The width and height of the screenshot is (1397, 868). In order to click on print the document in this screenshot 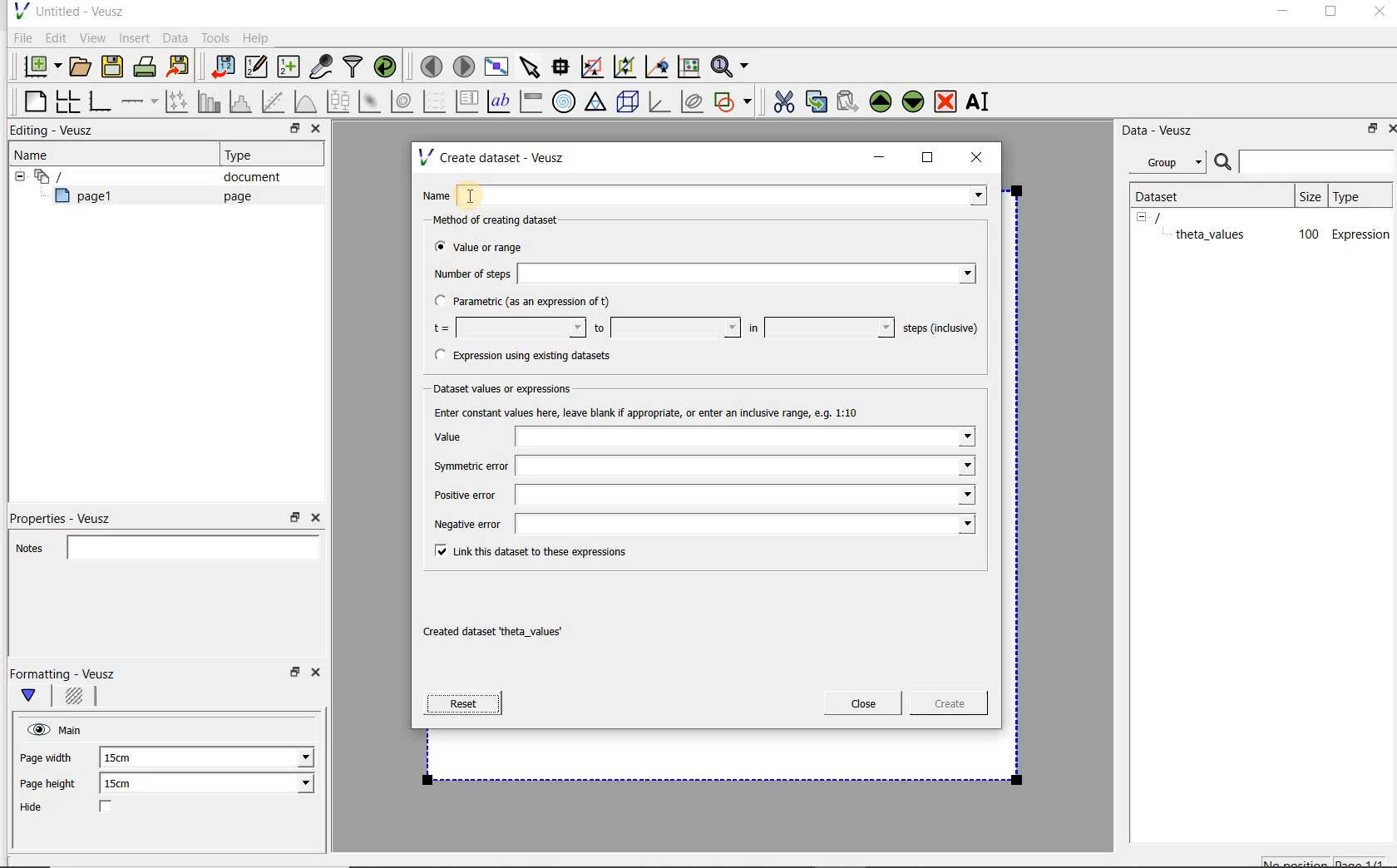, I will do `click(148, 66)`.